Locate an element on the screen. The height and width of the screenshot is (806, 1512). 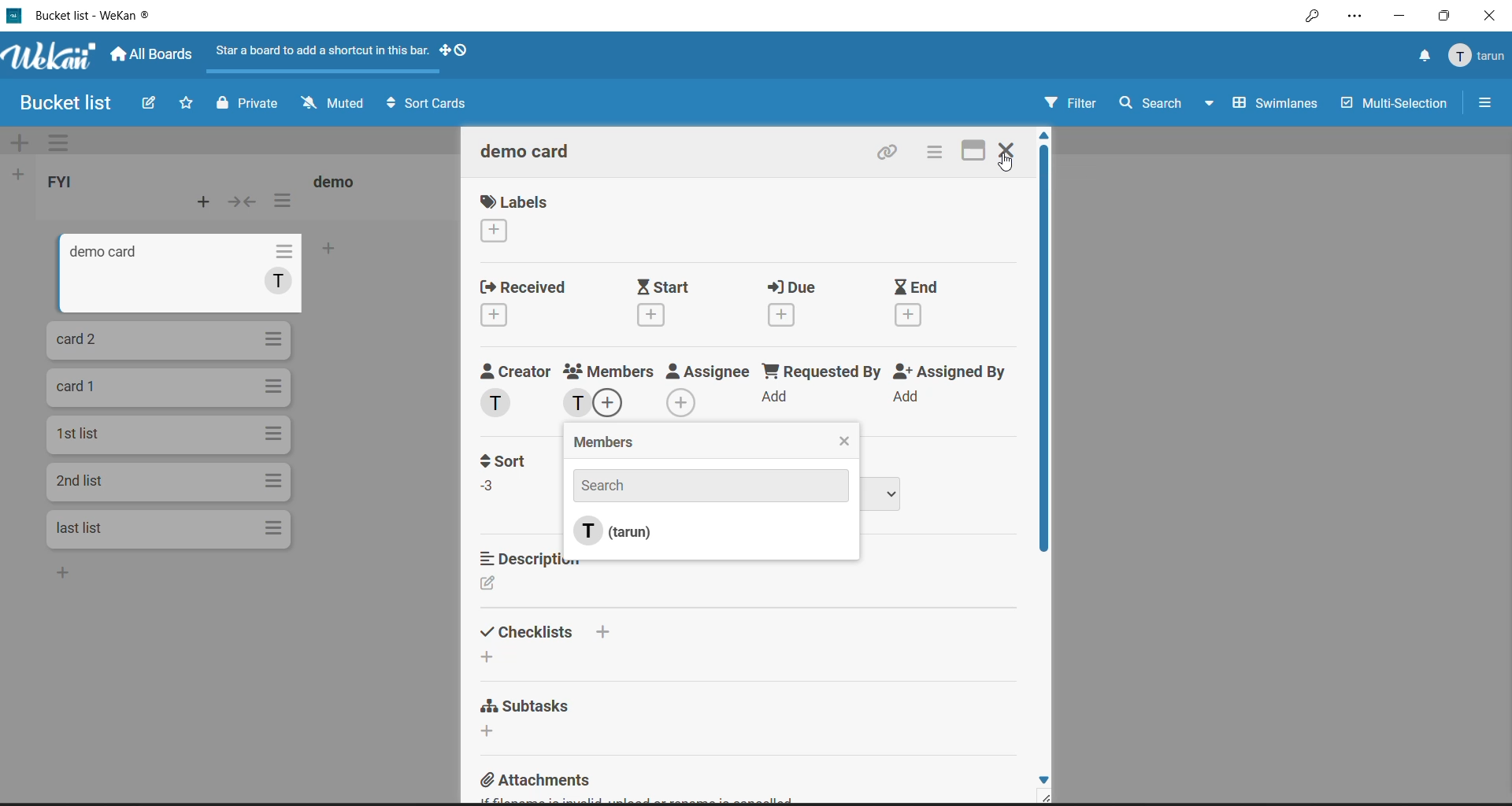
card actions is located at coordinates (274, 337).